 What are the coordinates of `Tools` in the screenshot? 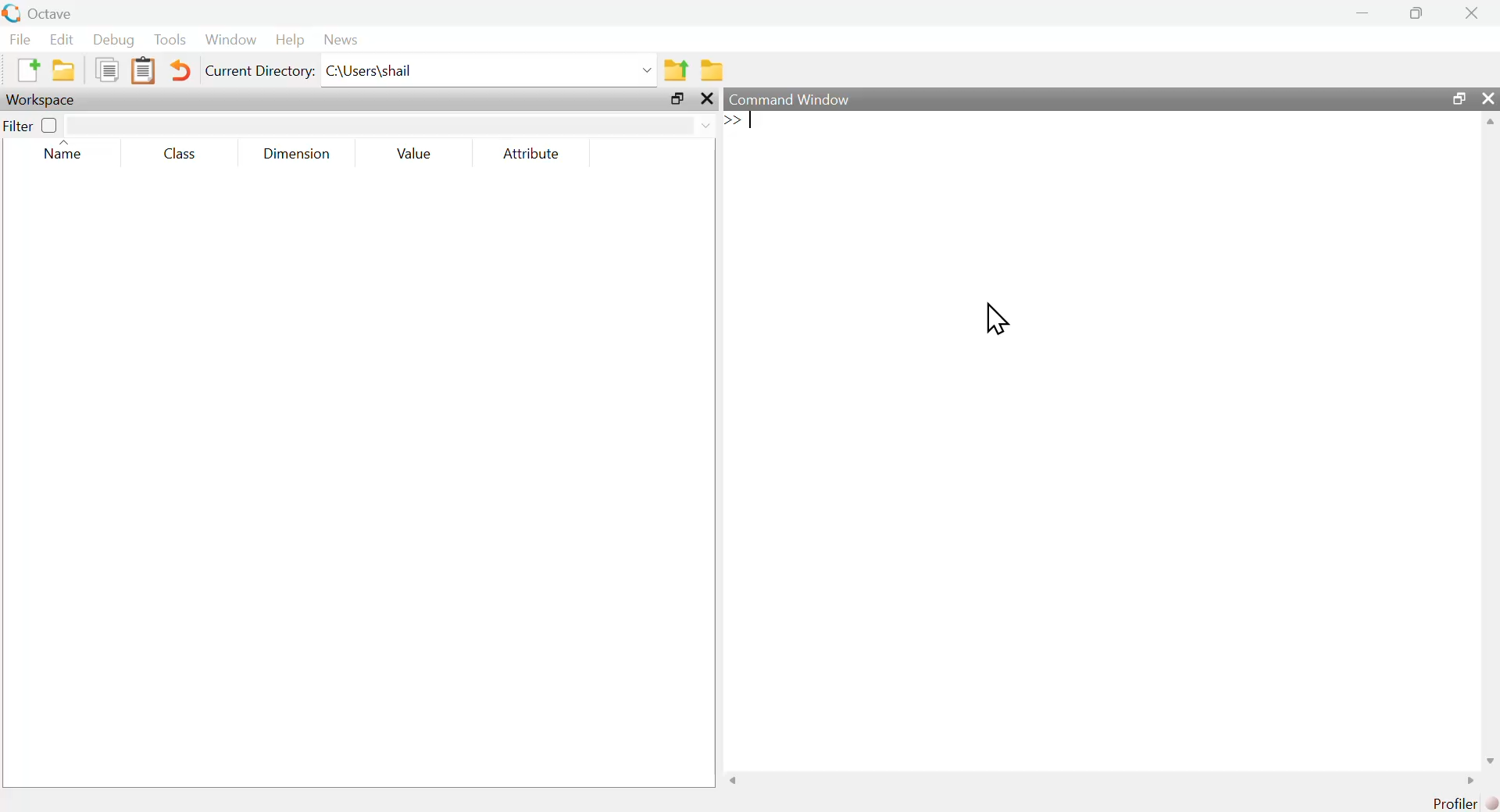 It's located at (171, 39).